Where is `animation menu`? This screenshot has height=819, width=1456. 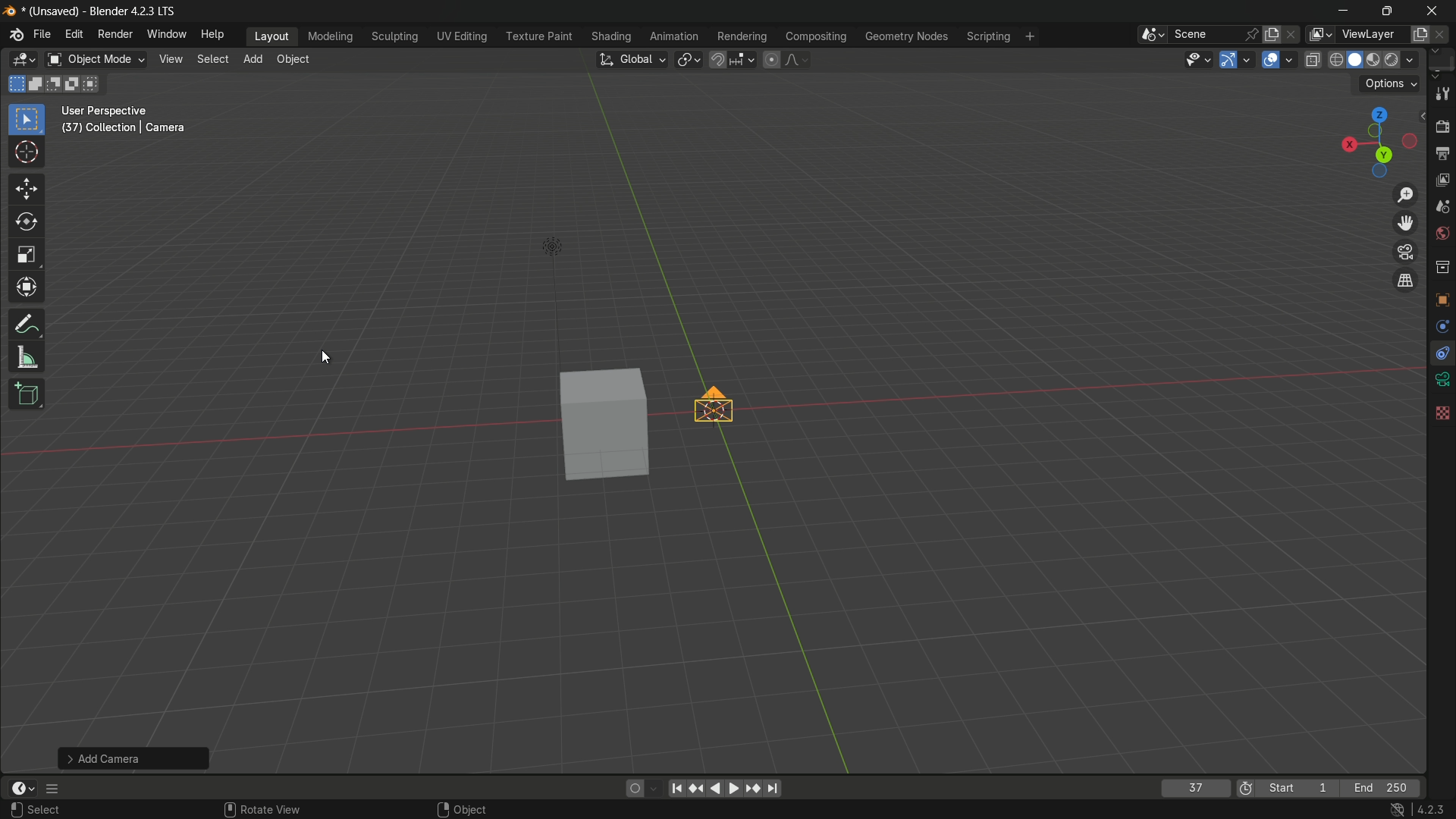 animation menu is located at coordinates (674, 36).